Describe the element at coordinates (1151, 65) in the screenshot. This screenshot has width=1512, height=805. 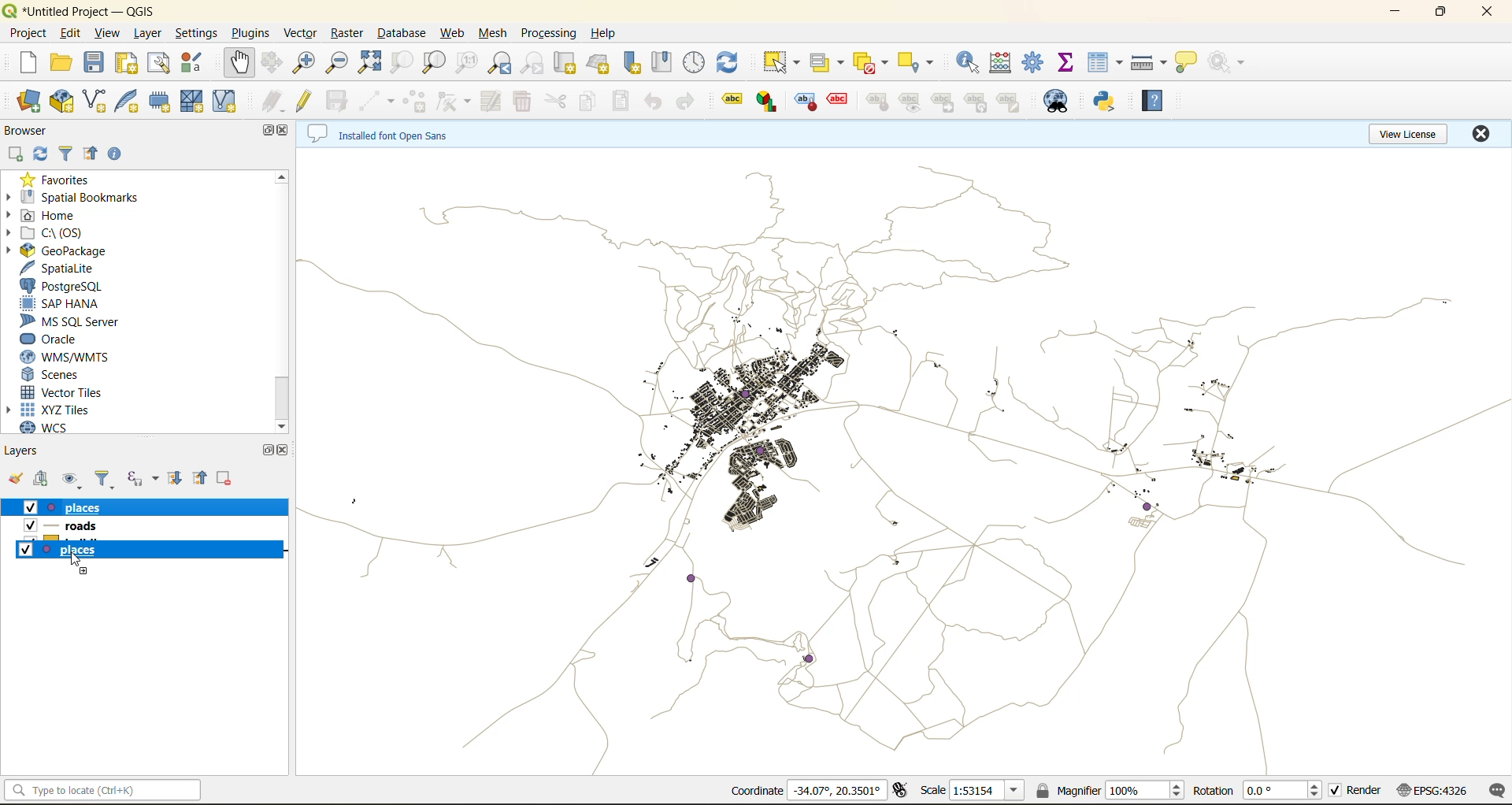
I see `measure line` at that location.